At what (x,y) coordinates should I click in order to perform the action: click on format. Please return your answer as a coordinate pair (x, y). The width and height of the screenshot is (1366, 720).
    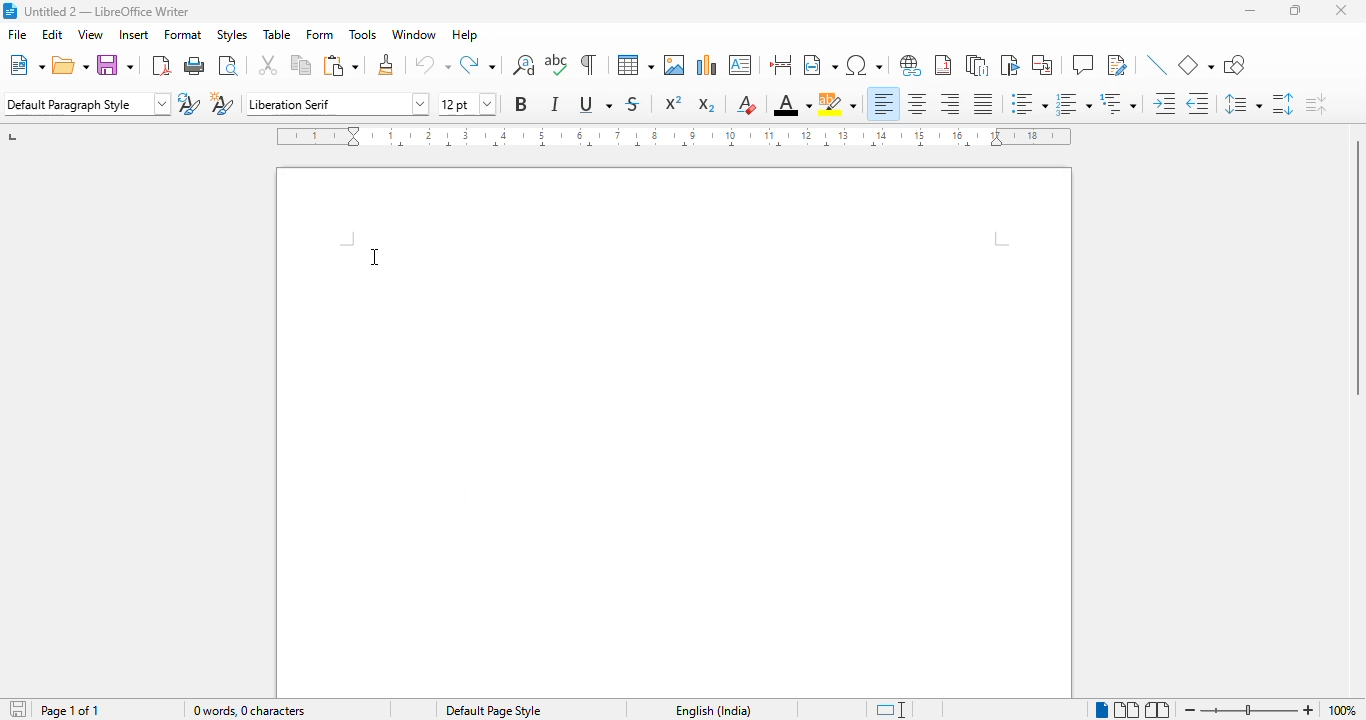
    Looking at the image, I should click on (183, 35).